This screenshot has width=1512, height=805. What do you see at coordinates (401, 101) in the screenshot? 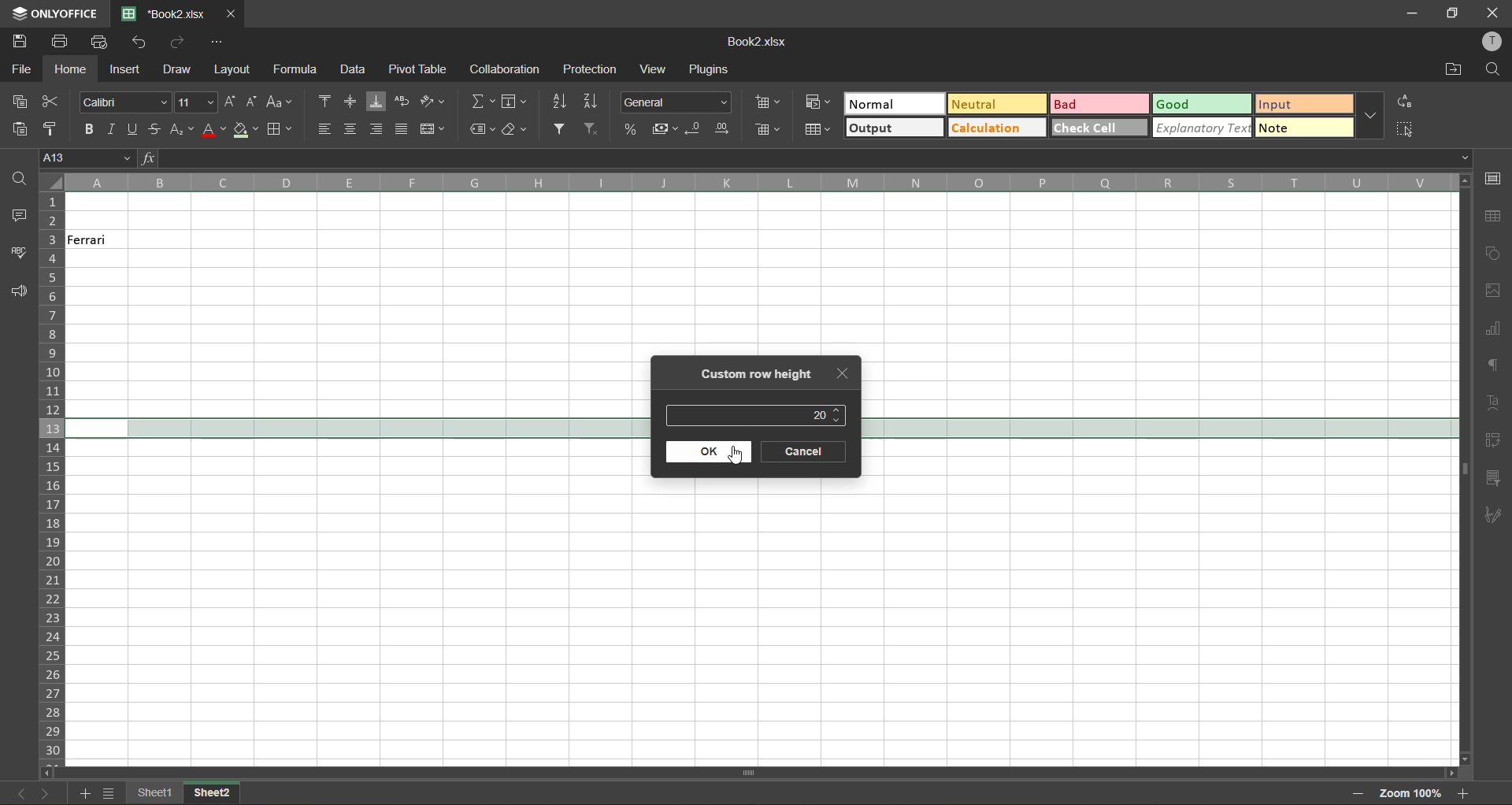
I see `wrap text` at bounding box center [401, 101].